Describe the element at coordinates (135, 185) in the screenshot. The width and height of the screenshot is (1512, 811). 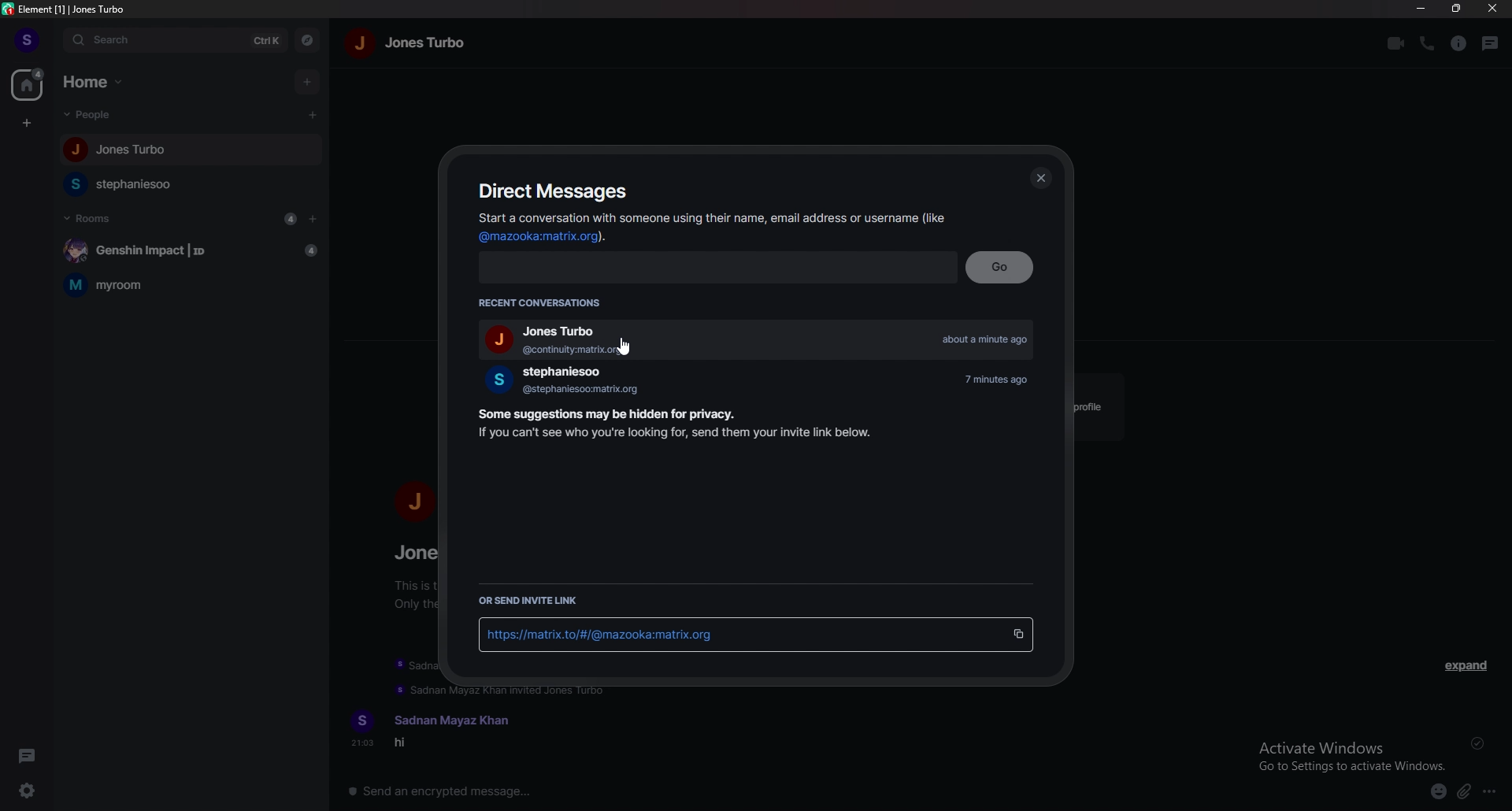
I see `stephaniesoo` at that location.